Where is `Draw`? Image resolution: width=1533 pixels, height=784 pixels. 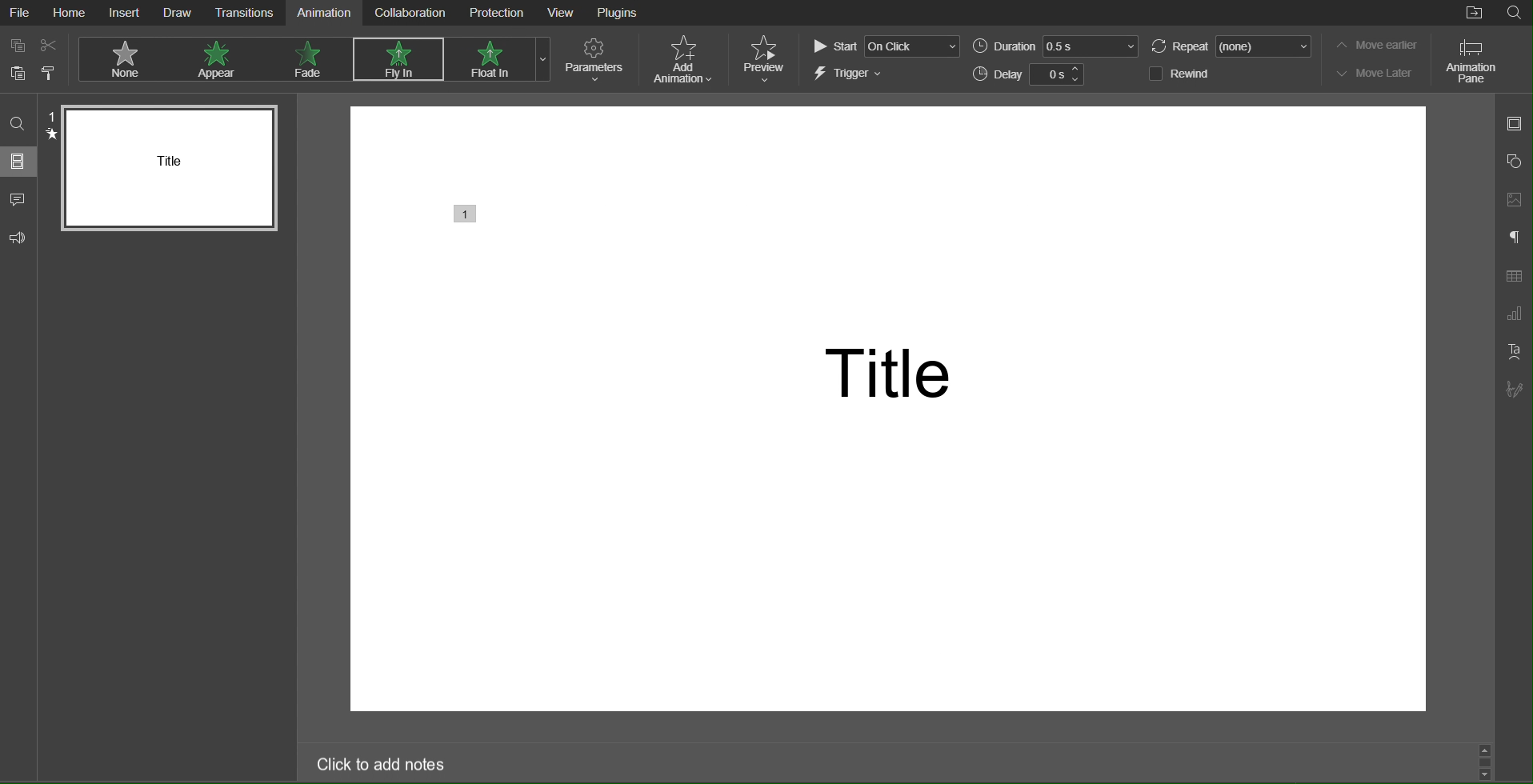
Draw is located at coordinates (178, 13).